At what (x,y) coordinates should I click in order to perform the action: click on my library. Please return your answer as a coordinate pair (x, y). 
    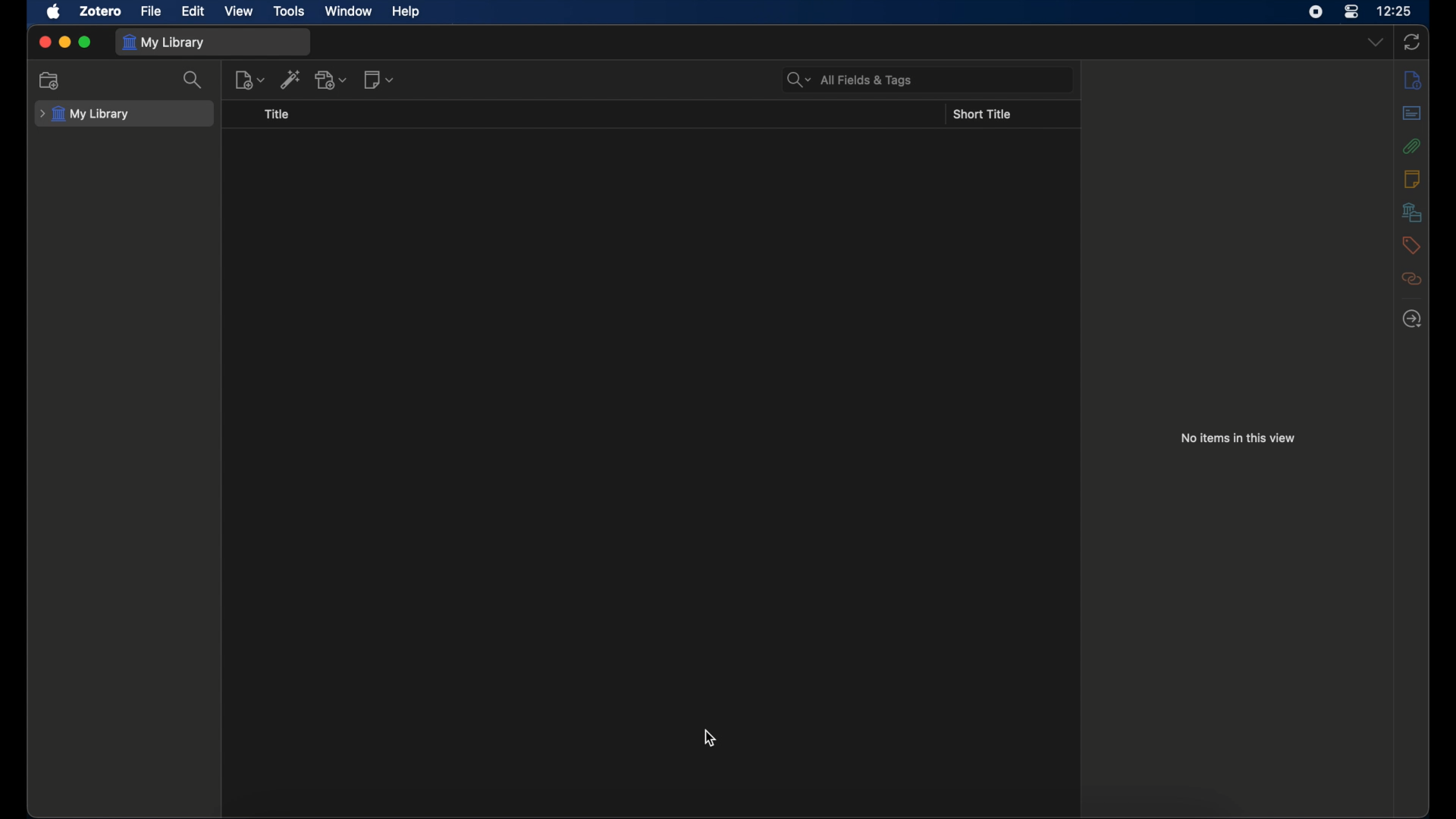
    Looking at the image, I should click on (85, 115).